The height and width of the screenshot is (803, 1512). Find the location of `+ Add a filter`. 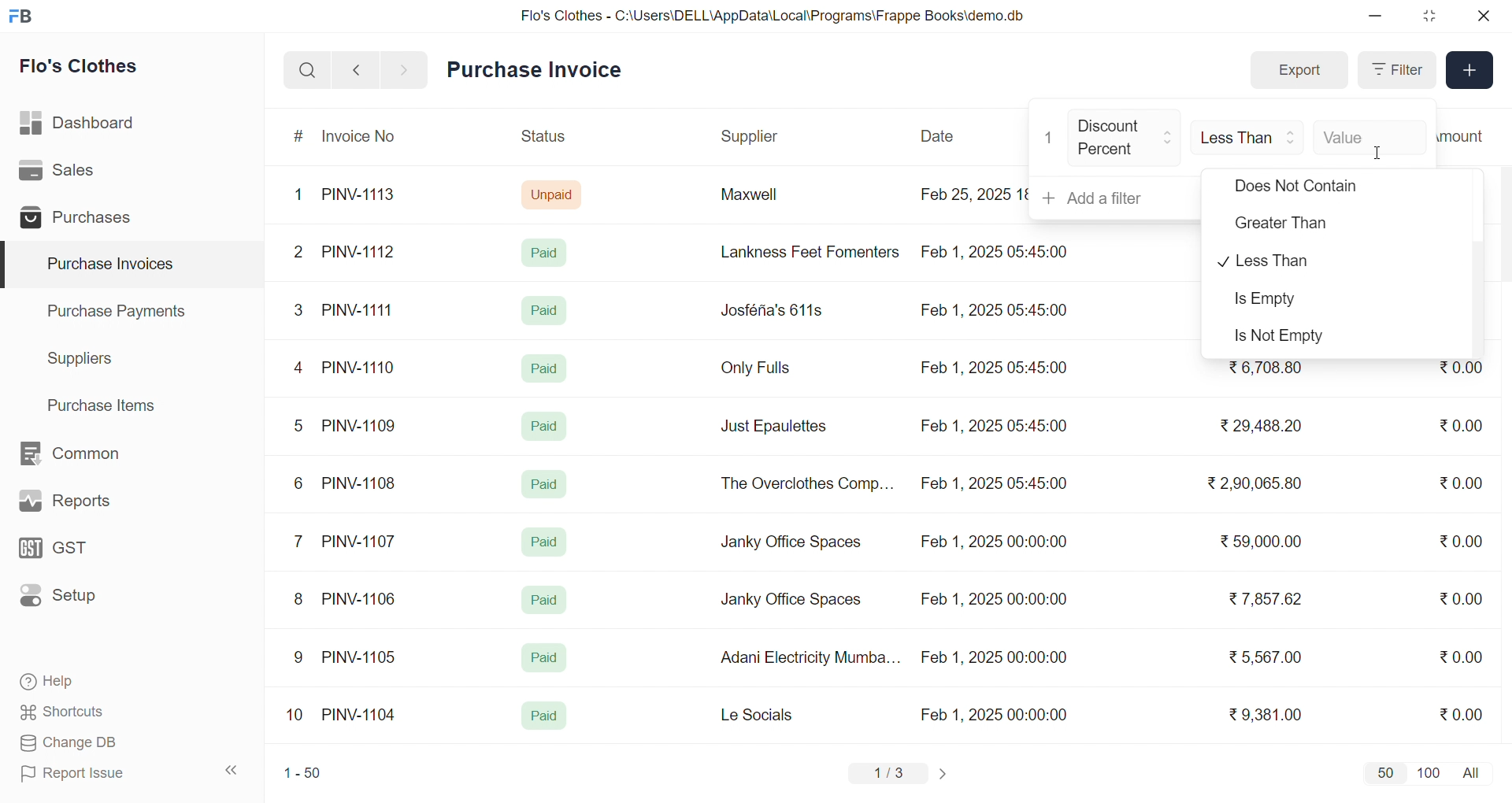

+ Add a filter is located at coordinates (1116, 198).